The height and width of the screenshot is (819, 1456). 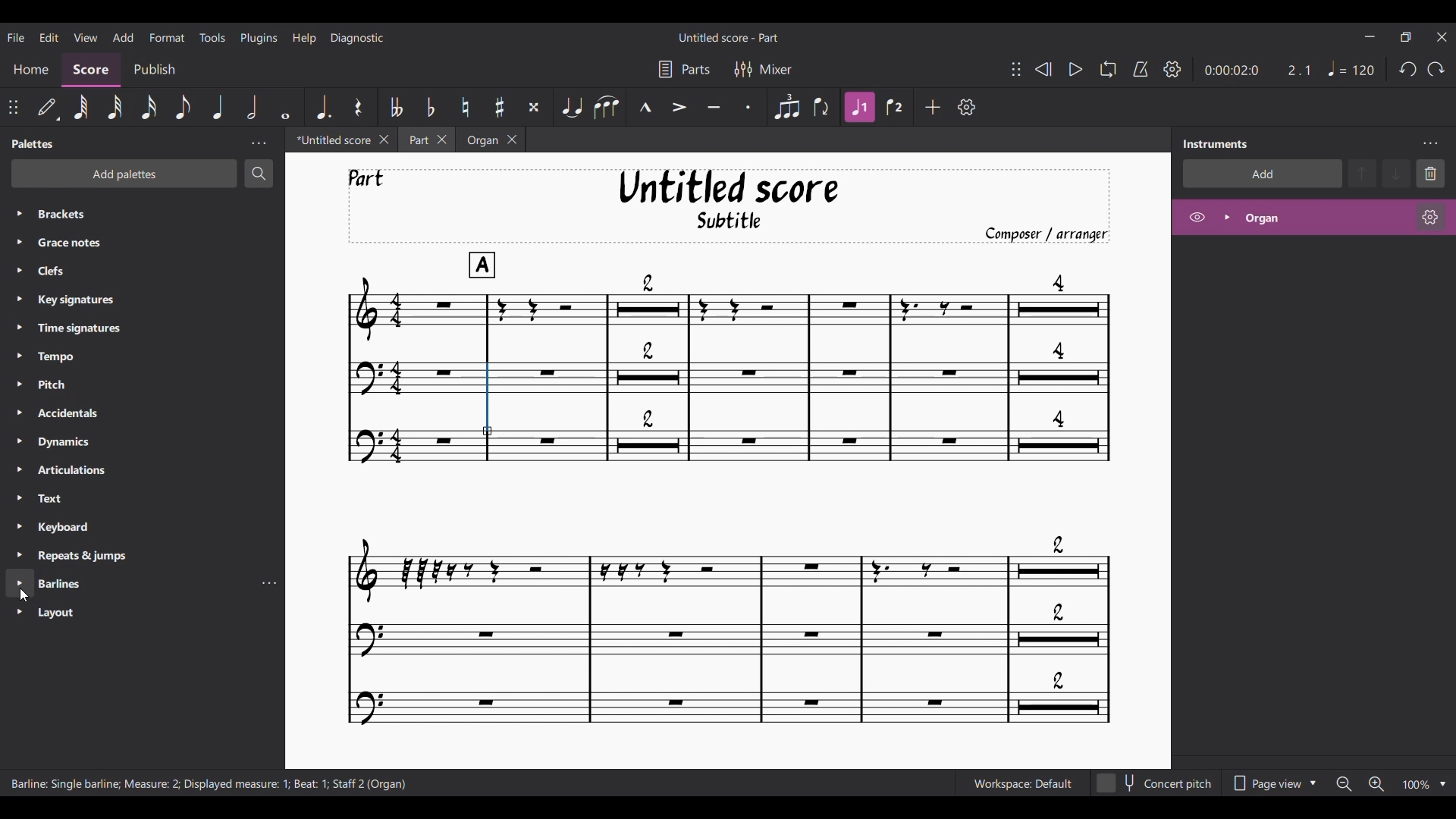 What do you see at coordinates (1436, 69) in the screenshot?
I see `Redo` at bounding box center [1436, 69].